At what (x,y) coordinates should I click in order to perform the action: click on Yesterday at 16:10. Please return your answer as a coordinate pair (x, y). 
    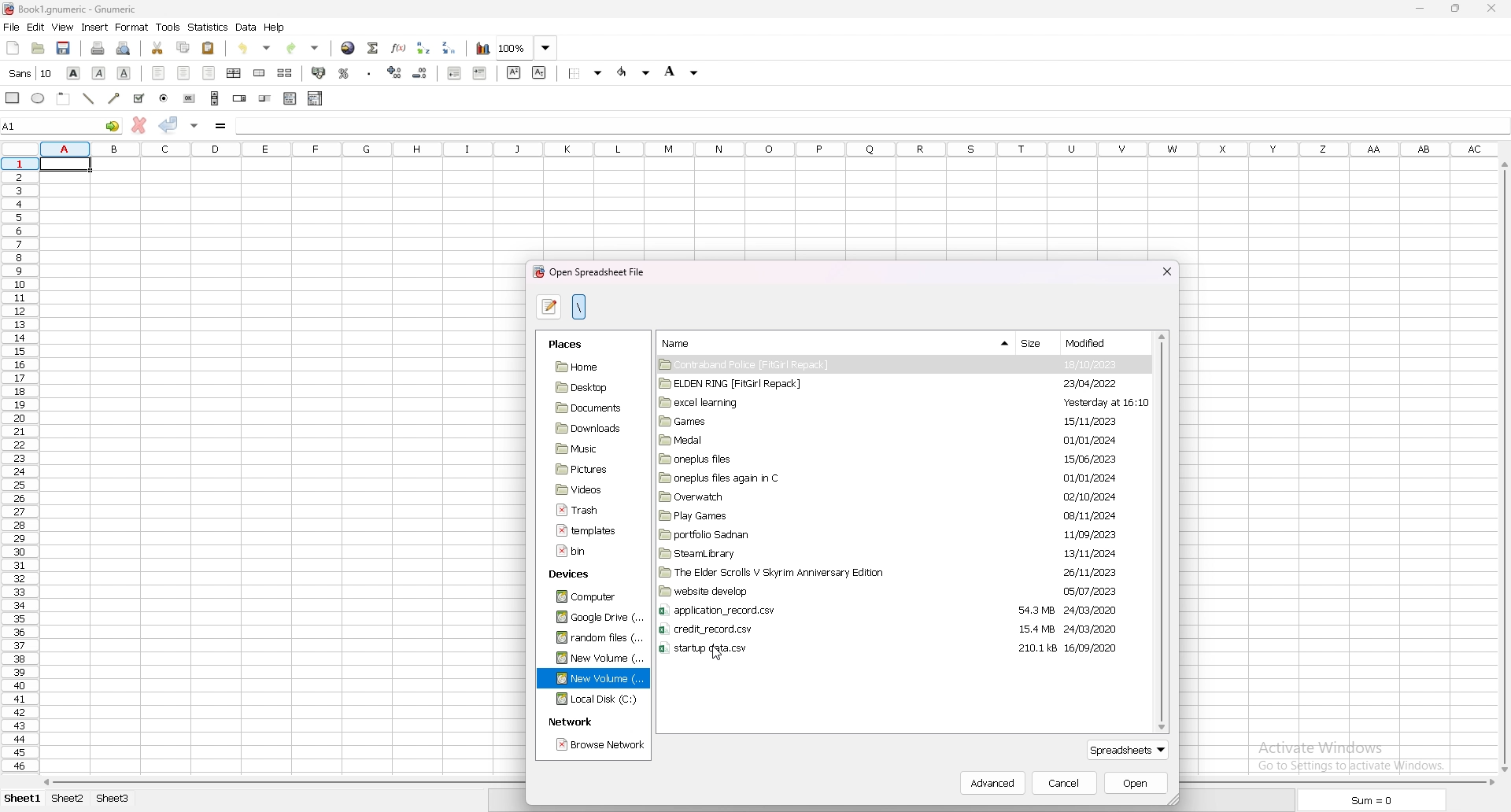
    Looking at the image, I should click on (1088, 403).